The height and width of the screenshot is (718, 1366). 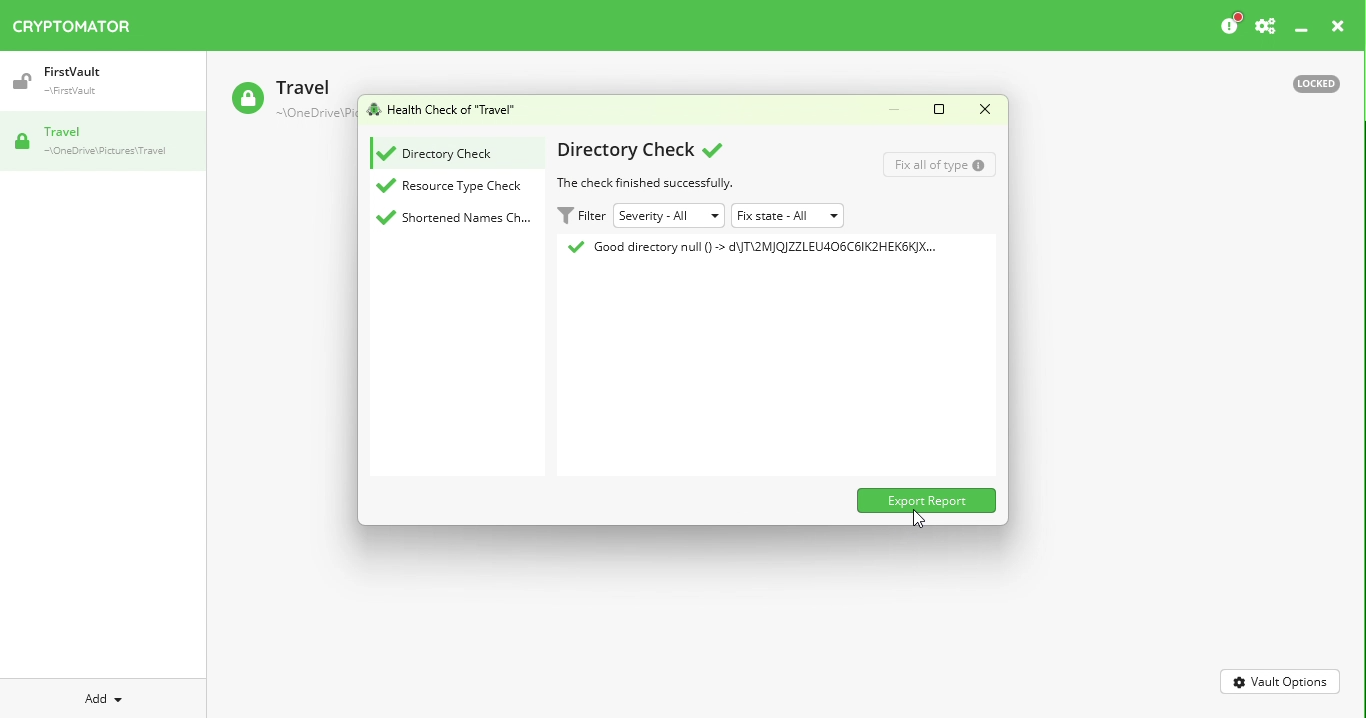 What do you see at coordinates (938, 165) in the screenshot?
I see `Fix of all type` at bounding box center [938, 165].